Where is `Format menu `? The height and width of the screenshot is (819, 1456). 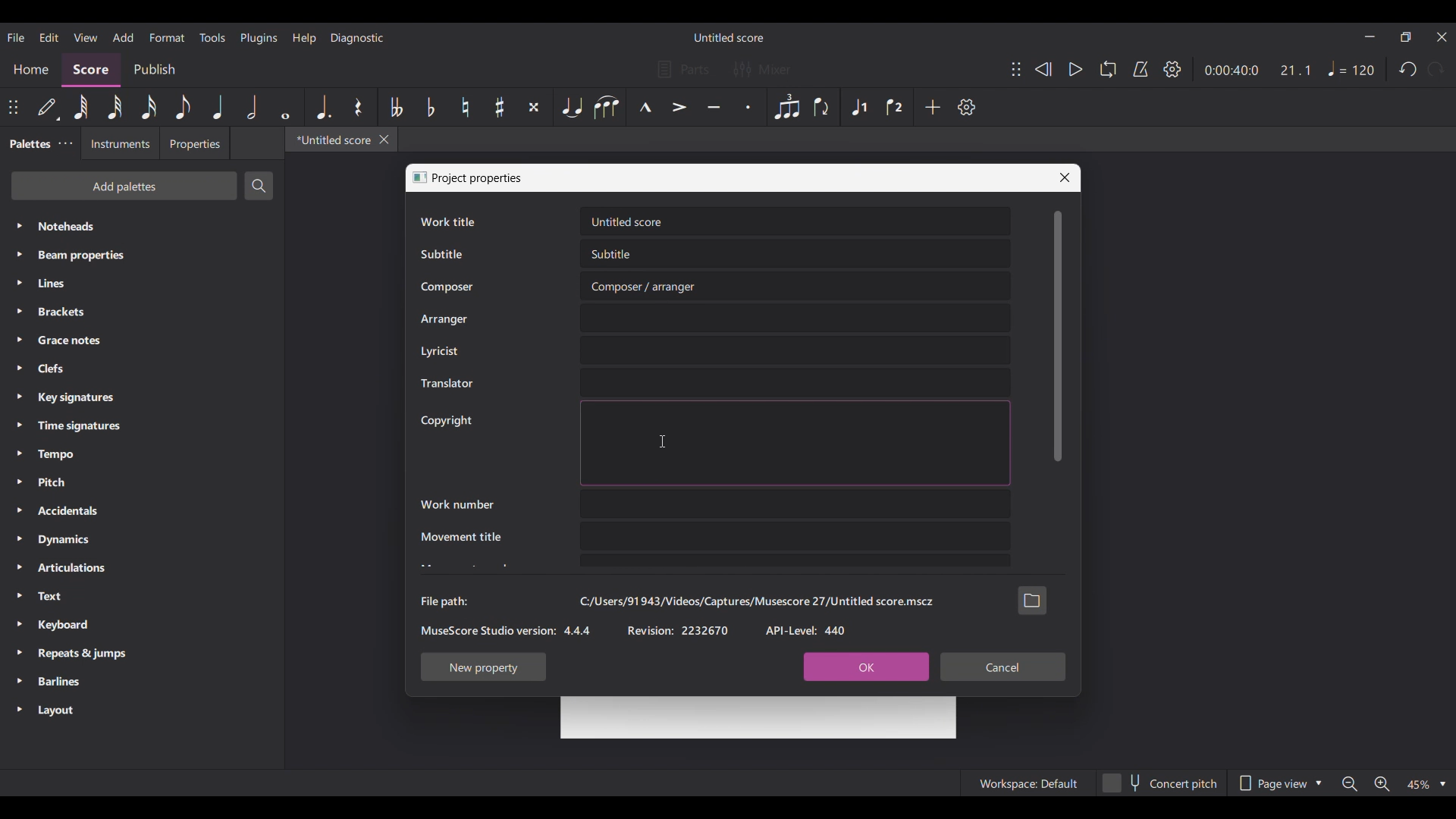 Format menu  is located at coordinates (168, 38).